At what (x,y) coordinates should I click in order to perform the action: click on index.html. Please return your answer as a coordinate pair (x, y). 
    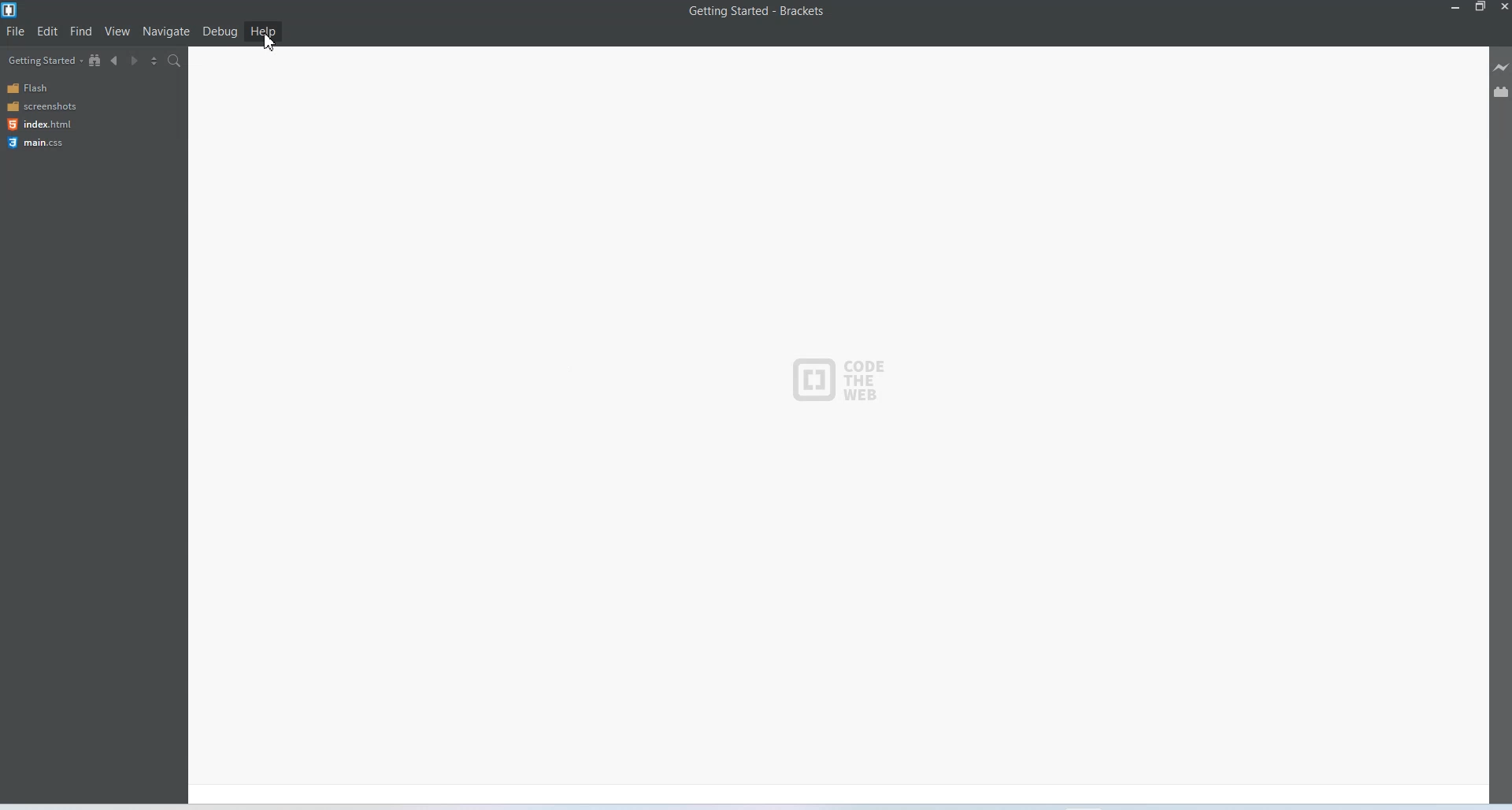
    Looking at the image, I should click on (39, 124).